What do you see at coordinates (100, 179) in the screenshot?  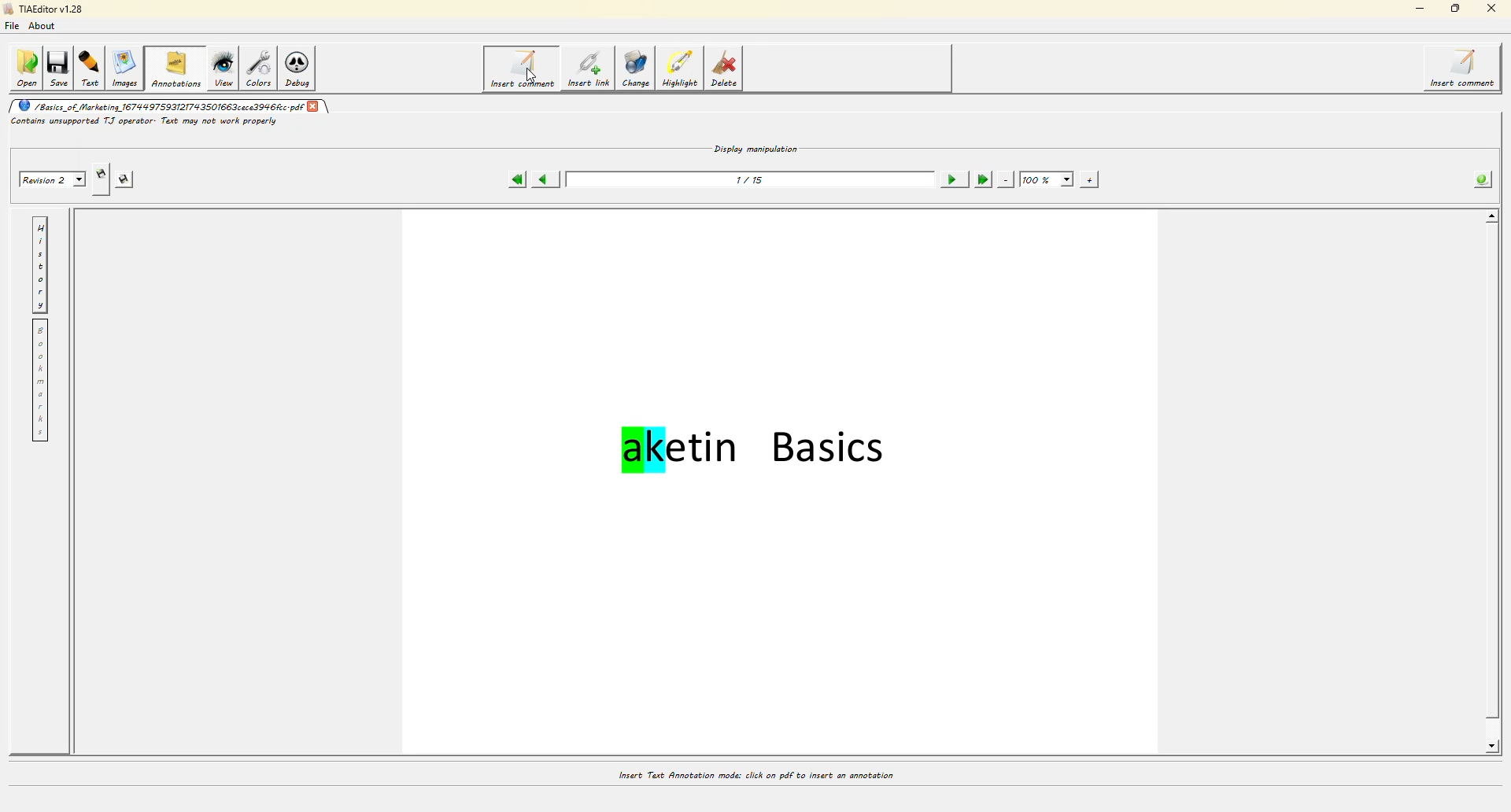 I see `creates new revision` at bounding box center [100, 179].